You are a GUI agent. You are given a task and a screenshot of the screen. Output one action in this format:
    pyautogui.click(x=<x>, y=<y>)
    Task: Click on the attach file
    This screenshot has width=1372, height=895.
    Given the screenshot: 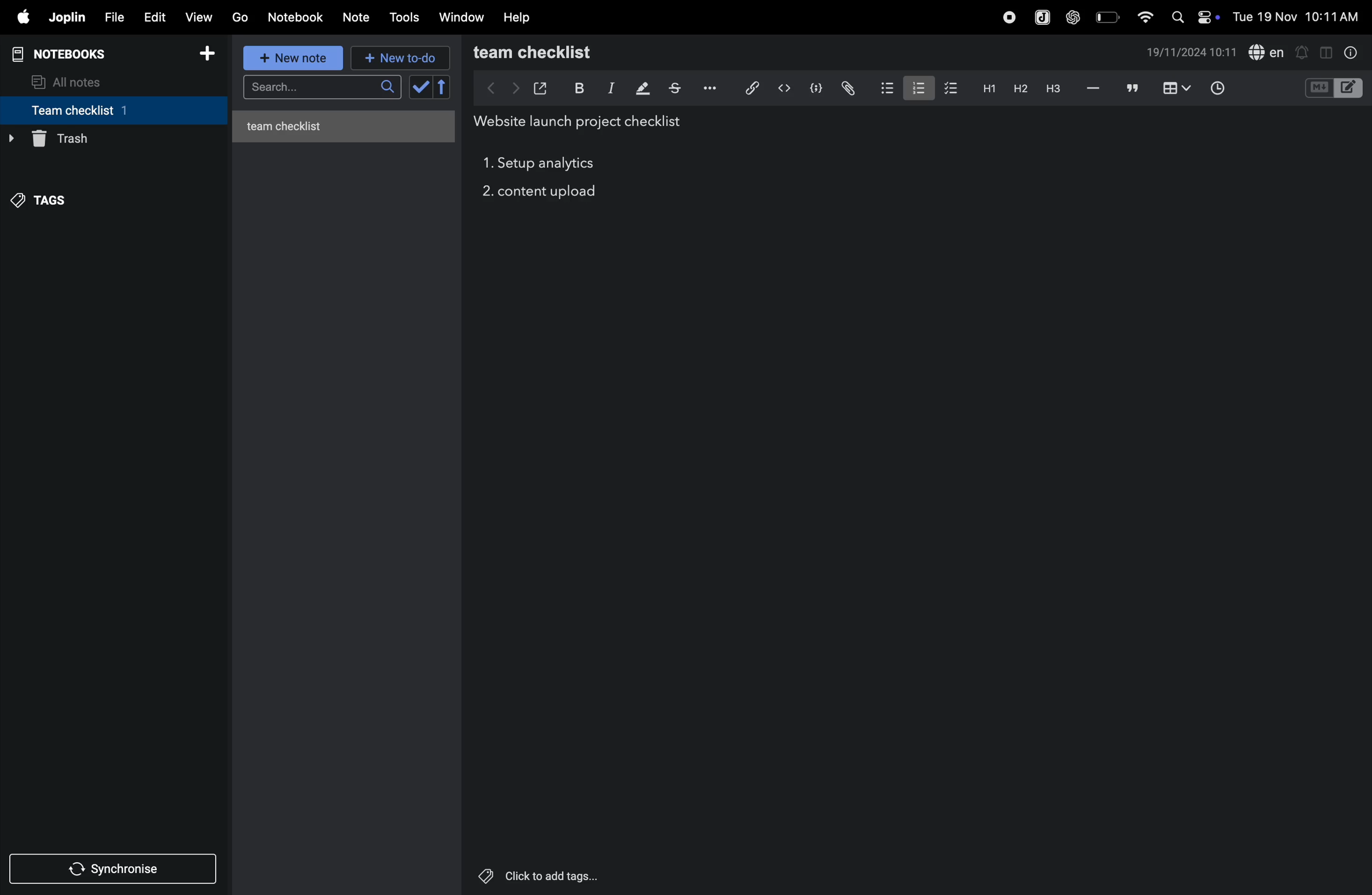 What is the action you would take?
    pyautogui.click(x=847, y=88)
    